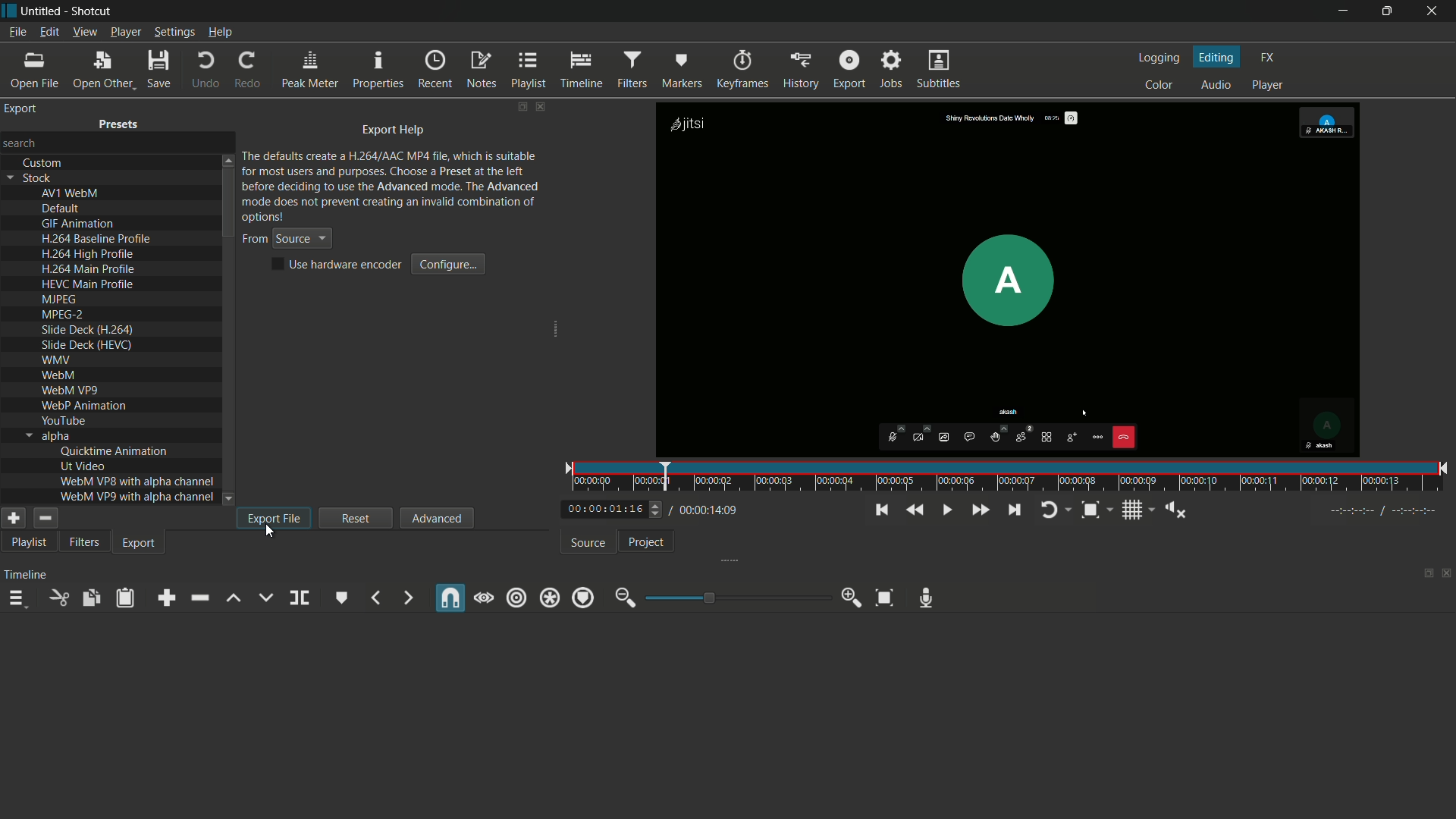  Describe the element at coordinates (1175, 510) in the screenshot. I see `show volume control` at that location.